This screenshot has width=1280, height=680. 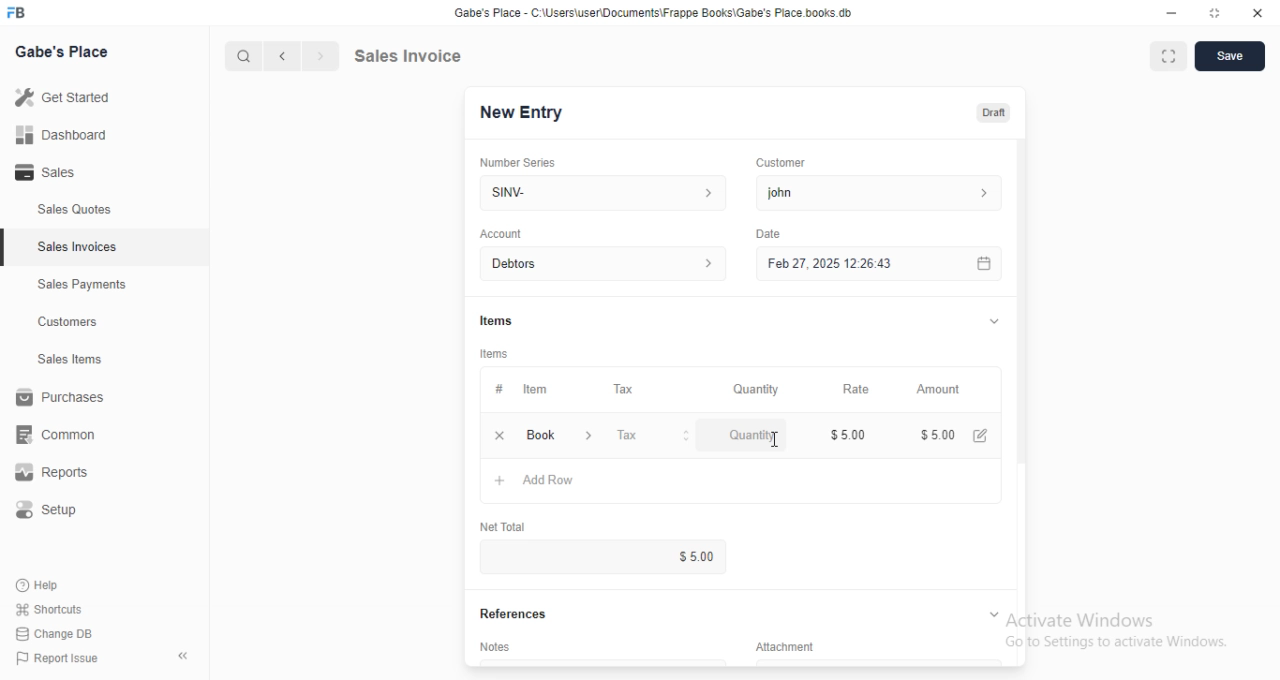 I want to click on Minimize, so click(x=1169, y=14).